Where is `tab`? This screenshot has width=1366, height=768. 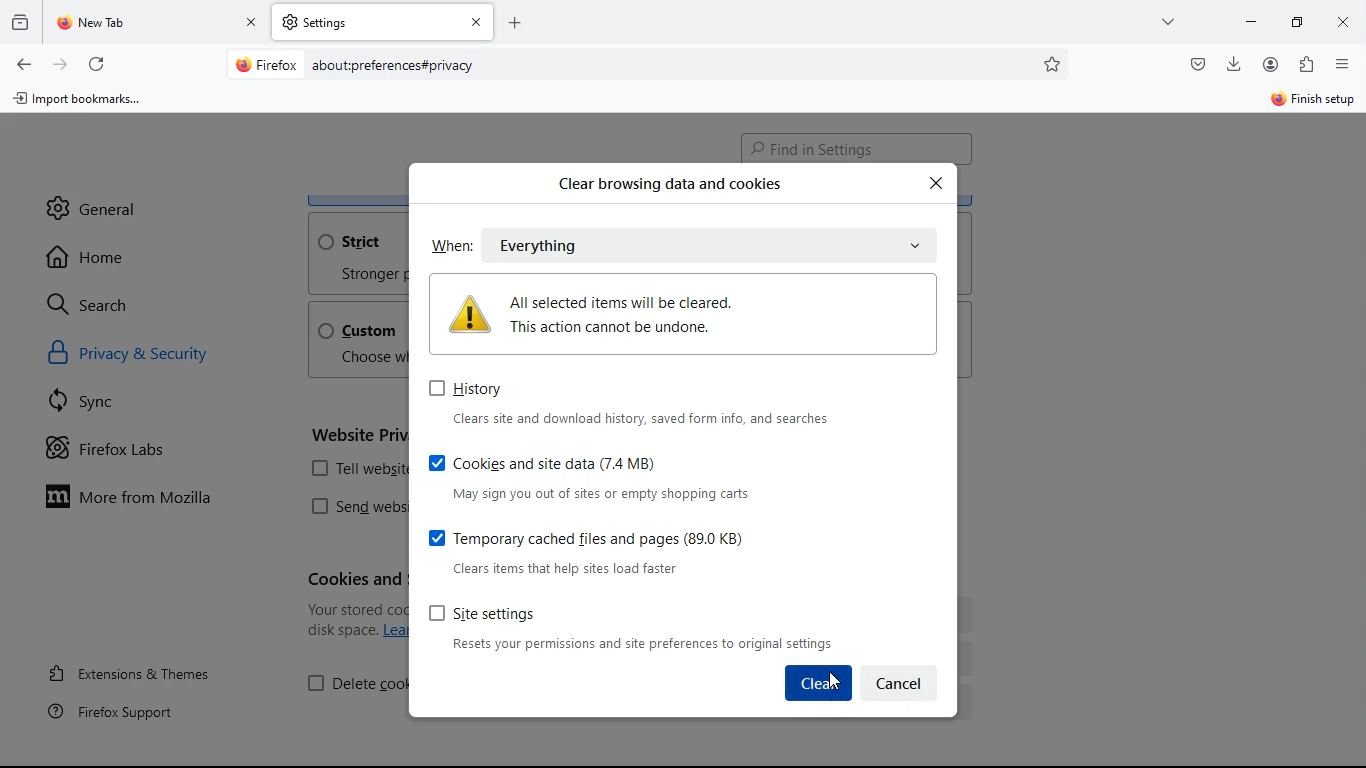 tab is located at coordinates (383, 22).